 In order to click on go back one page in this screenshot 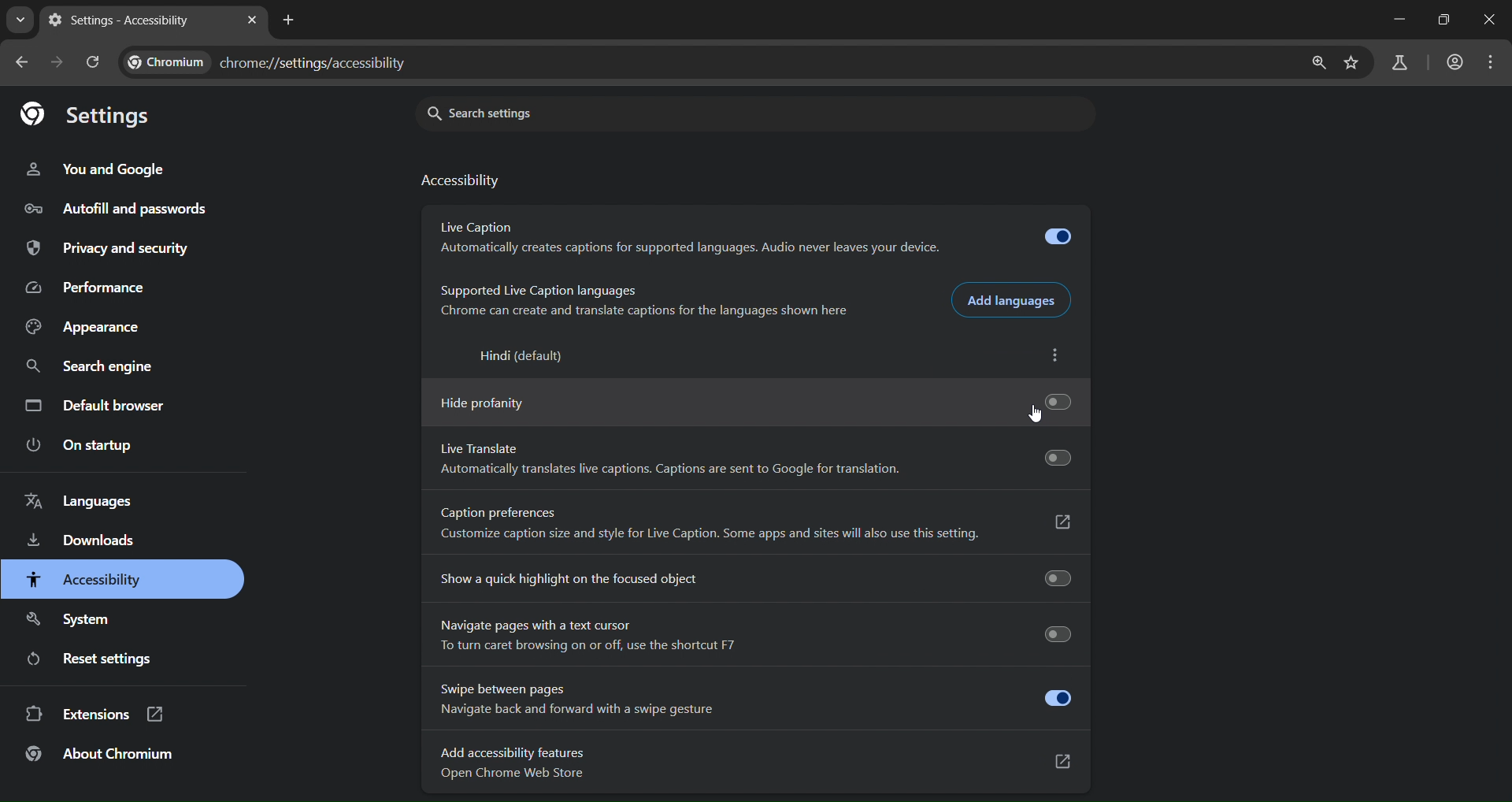, I will do `click(23, 62)`.